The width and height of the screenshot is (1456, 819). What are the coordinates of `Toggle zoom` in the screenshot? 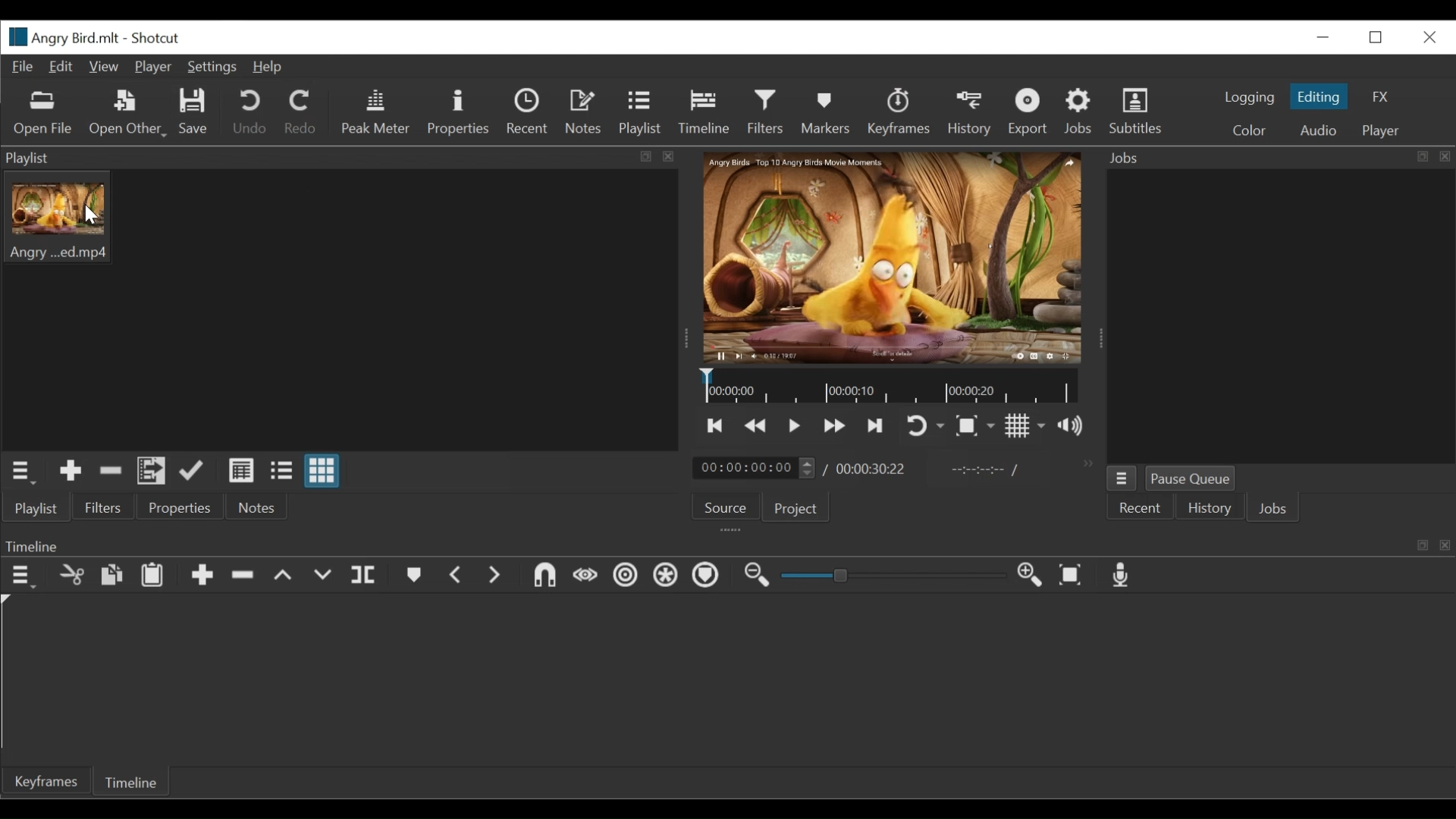 It's located at (975, 427).